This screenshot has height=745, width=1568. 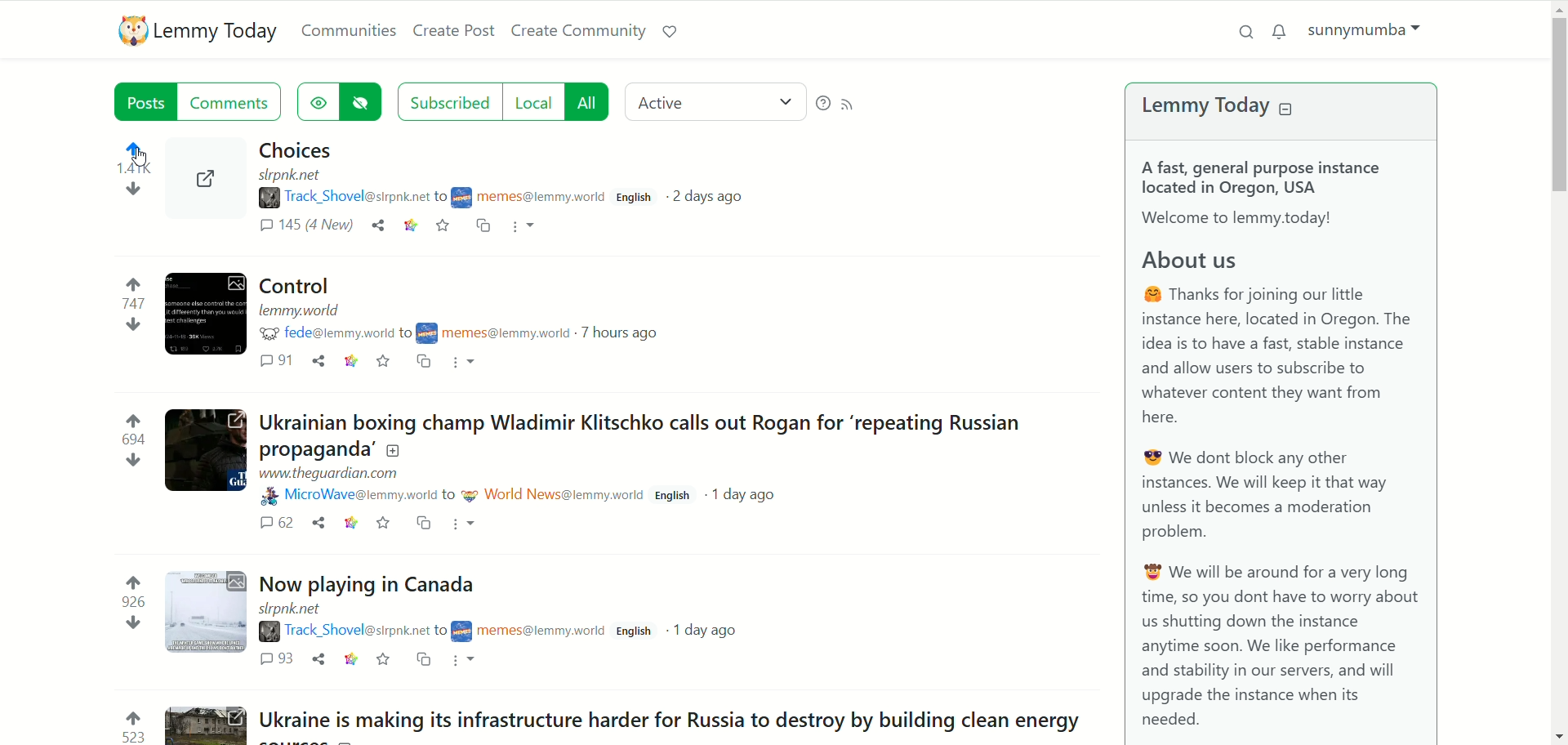 What do you see at coordinates (218, 33) in the screenshot?
I see `lemmy today` at bounding box center [218, 33].